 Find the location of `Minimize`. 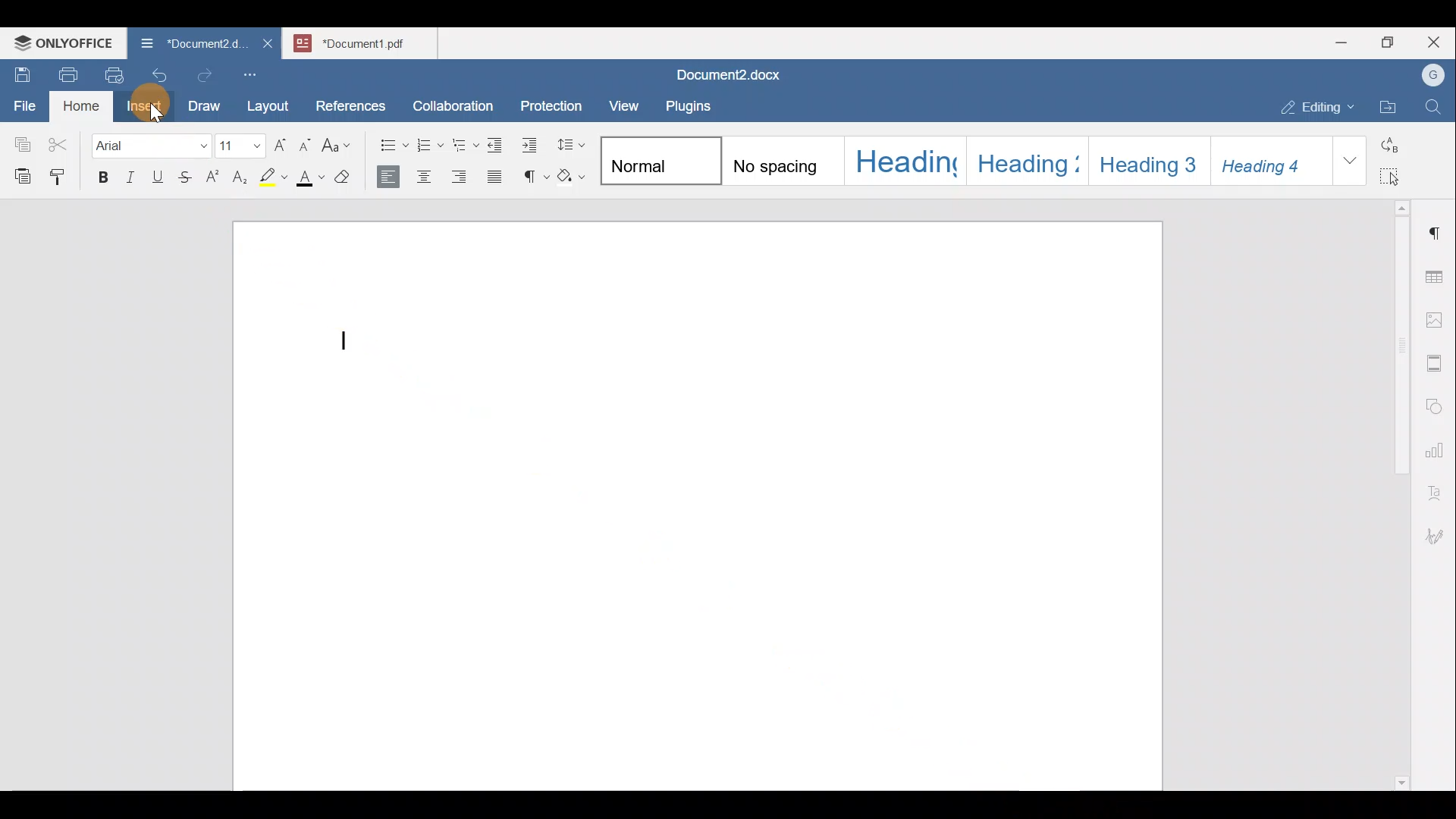

Minimize is located at coordinates (1341, 41).